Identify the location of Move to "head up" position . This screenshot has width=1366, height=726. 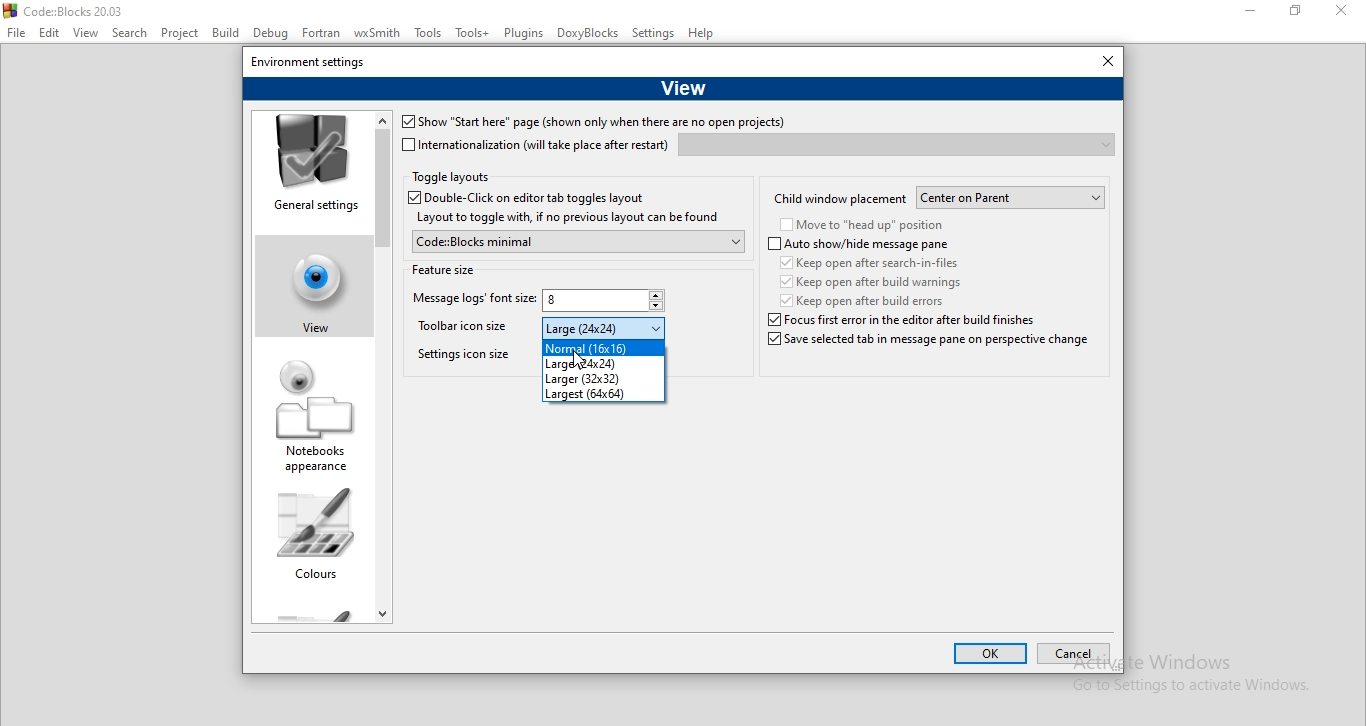
(862, 226).